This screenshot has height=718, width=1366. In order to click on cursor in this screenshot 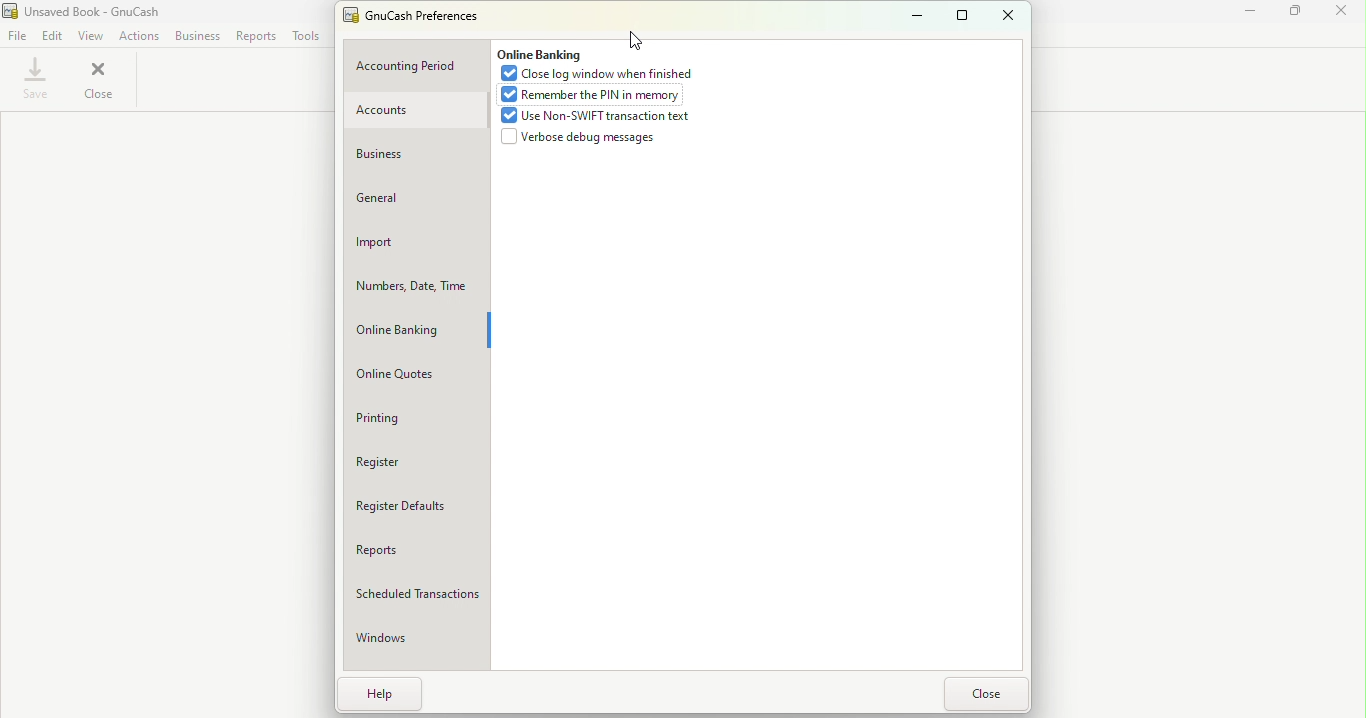, I will do `click(633, 39)`.